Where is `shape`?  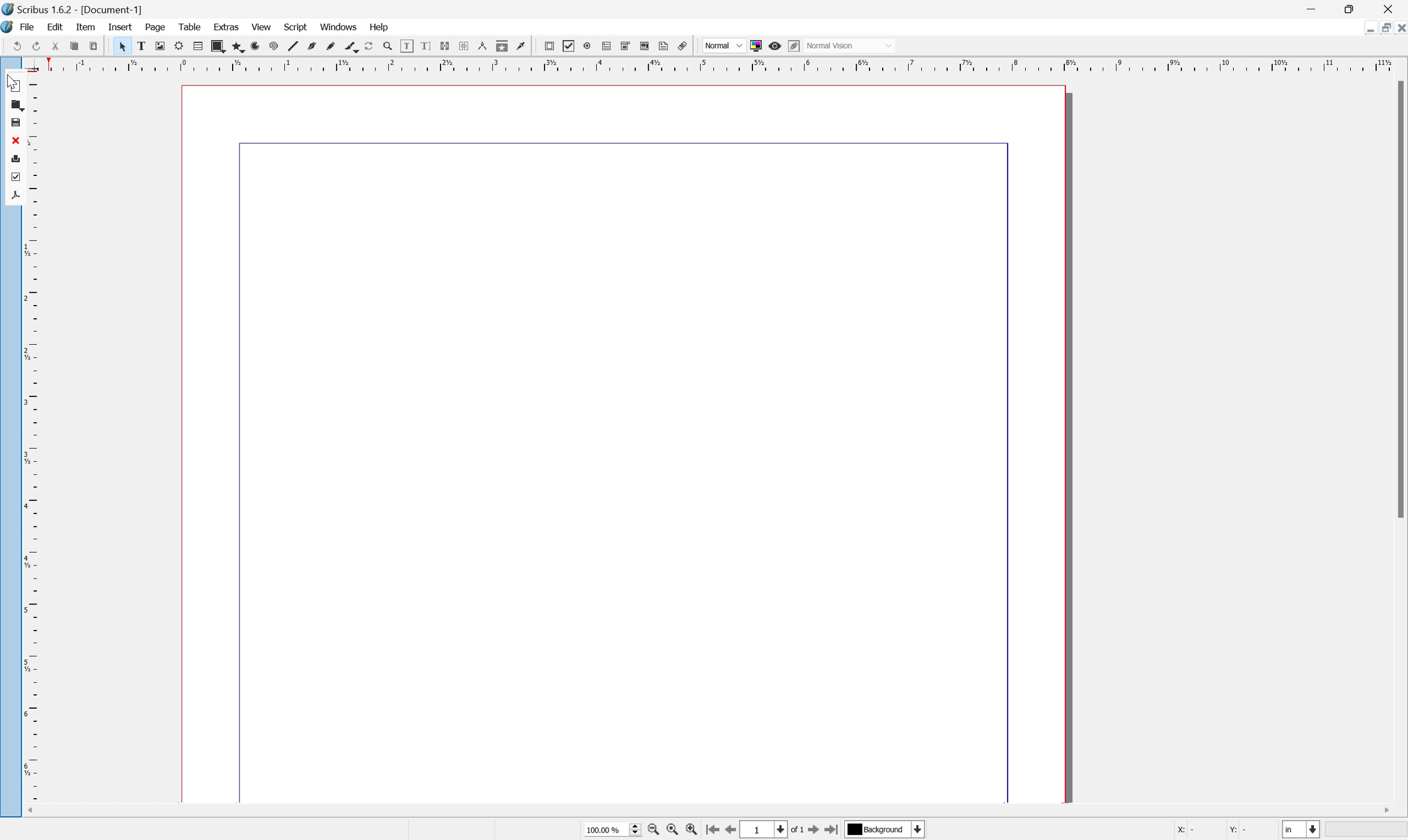 shape is located at coordinates (349, 46).